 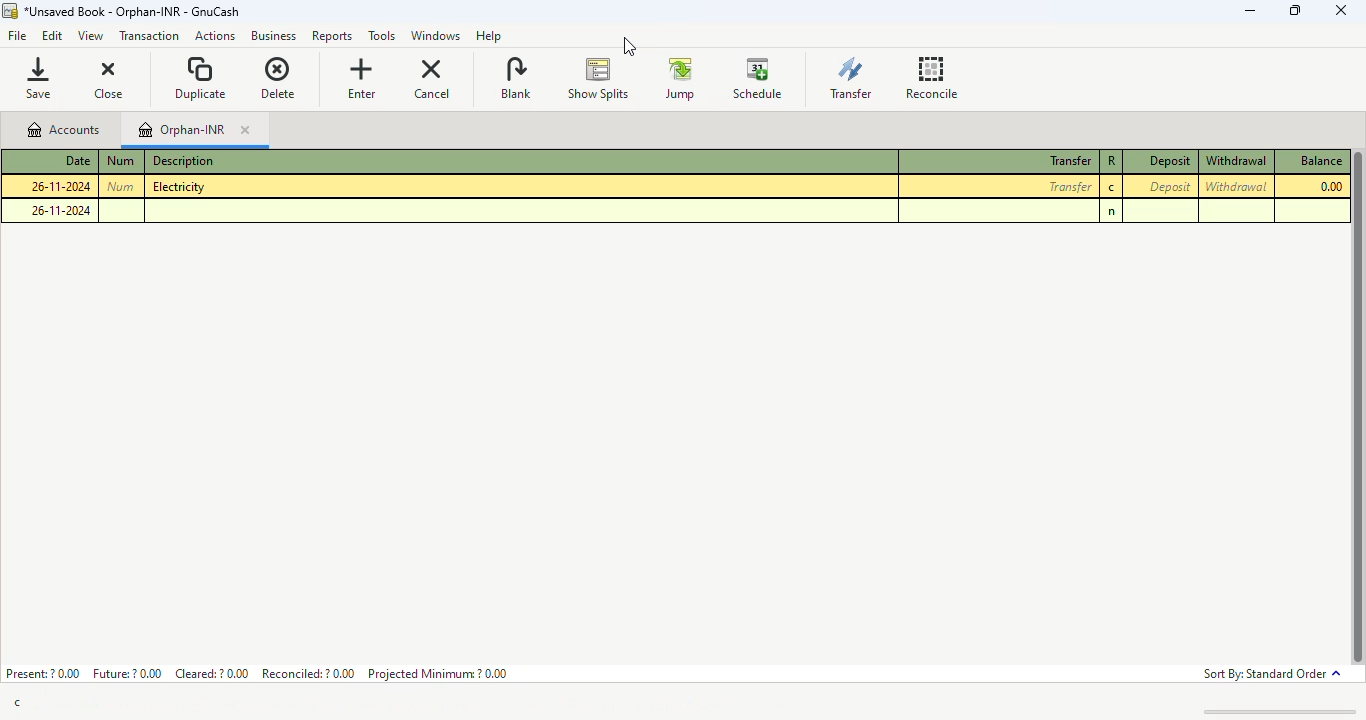 What do you see at coordinates (515, 77) in the screenshot?
I see `blank` at bounding box center [515, 77].